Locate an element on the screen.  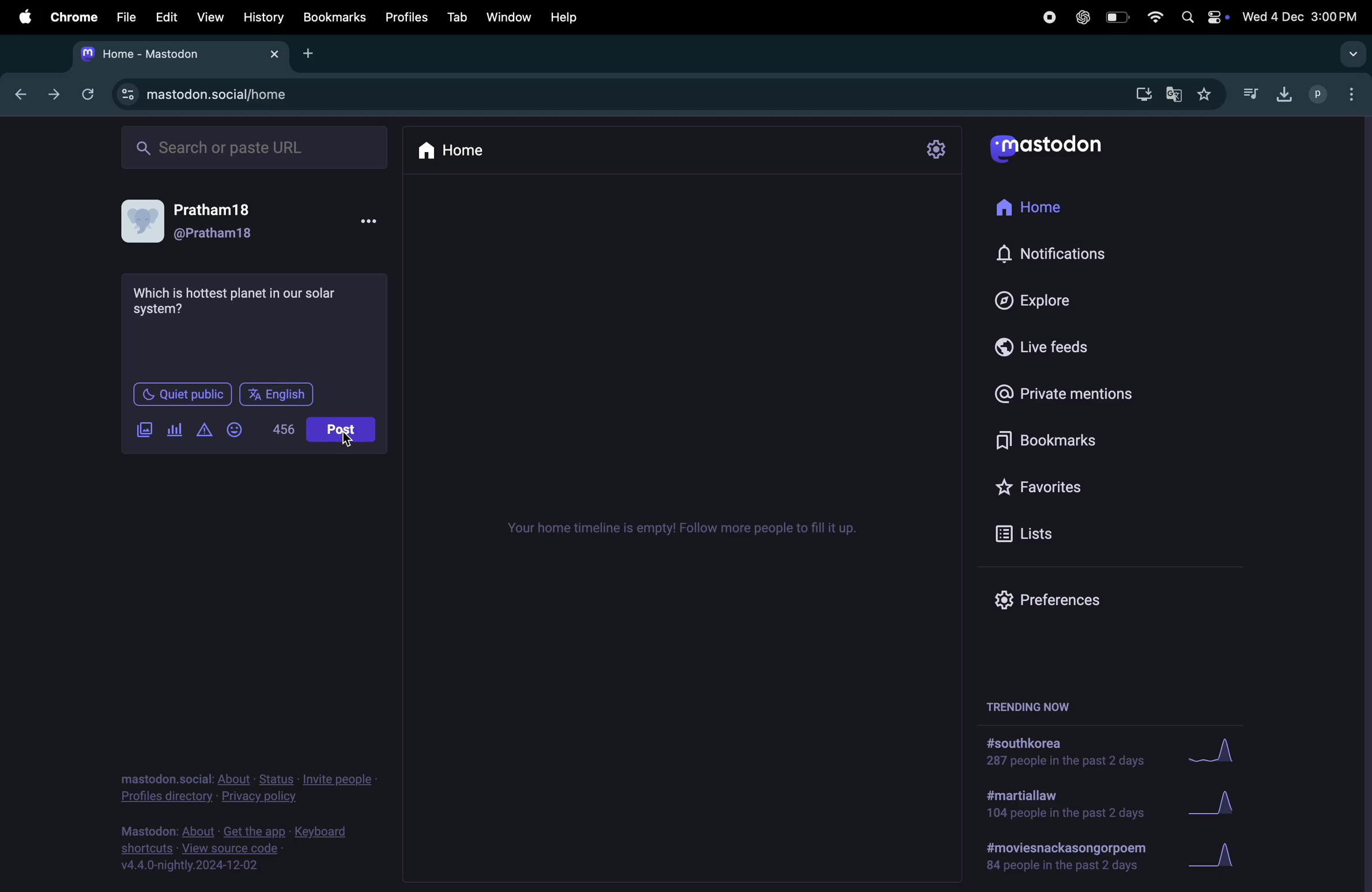
download is located at coordinates (1141, 95).